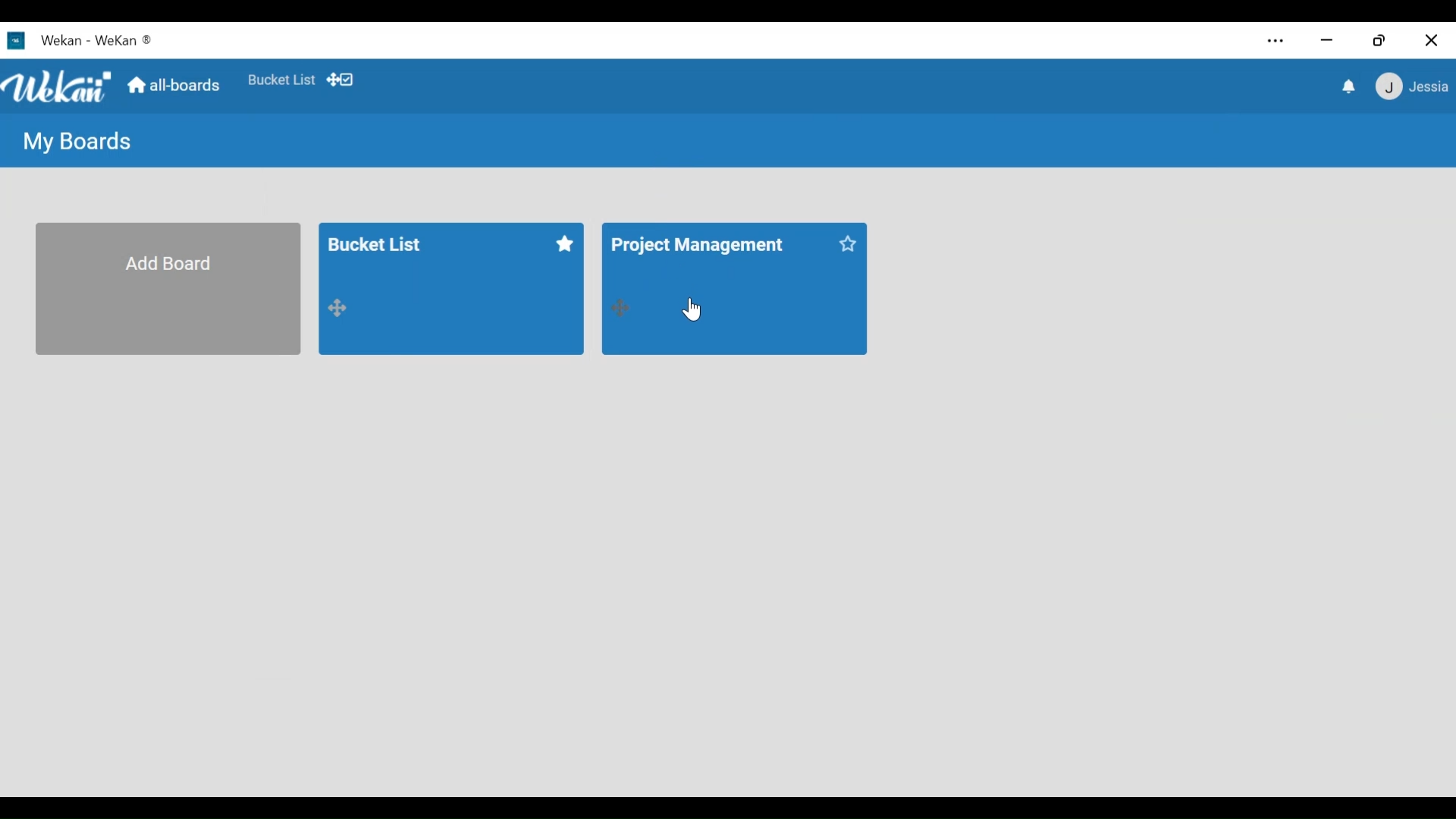 The width and height of the screenshot is (1456, 819). I want to click on Cursor, so click(690, 311).